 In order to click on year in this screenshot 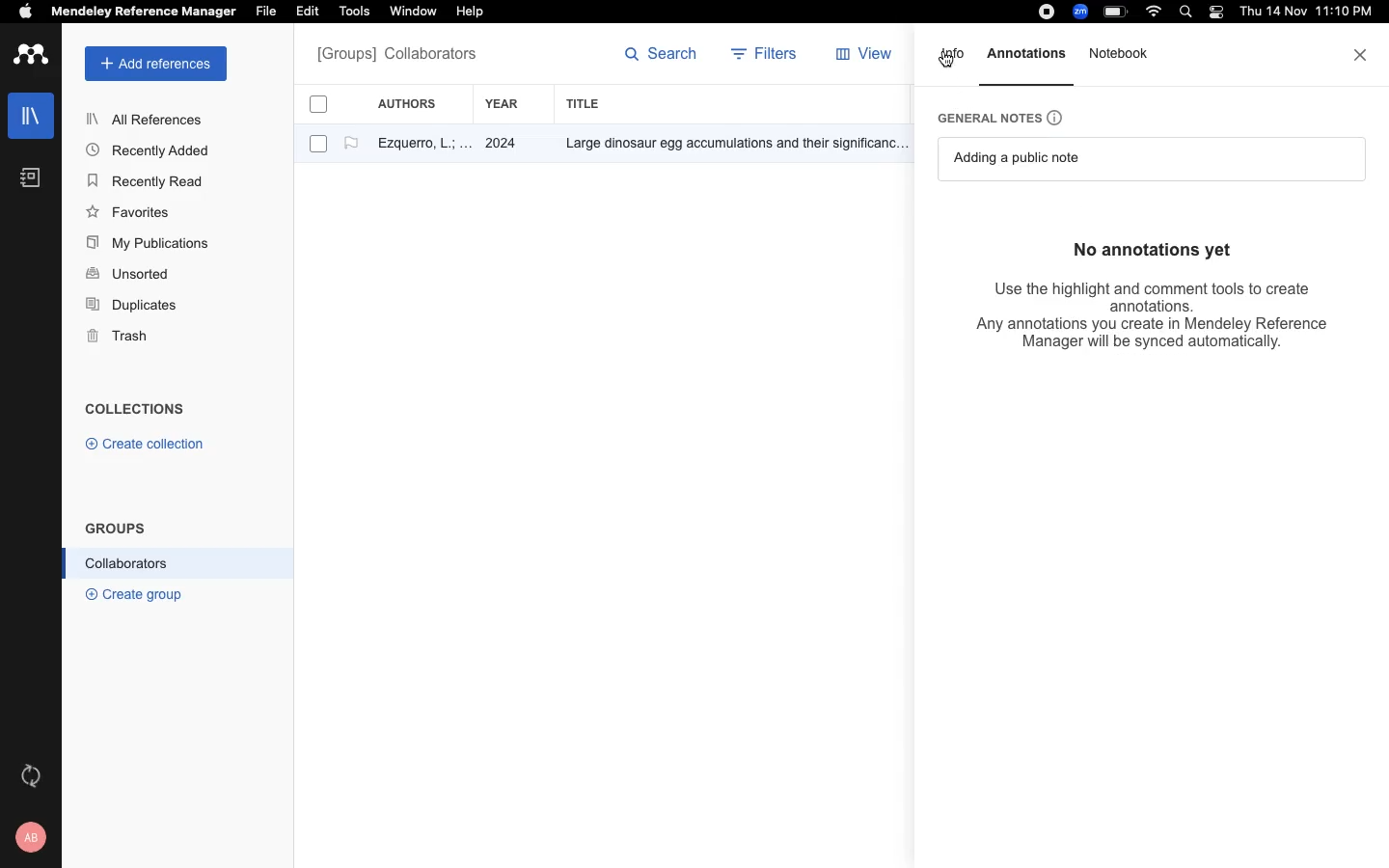, I will do `click(512, 104)`.